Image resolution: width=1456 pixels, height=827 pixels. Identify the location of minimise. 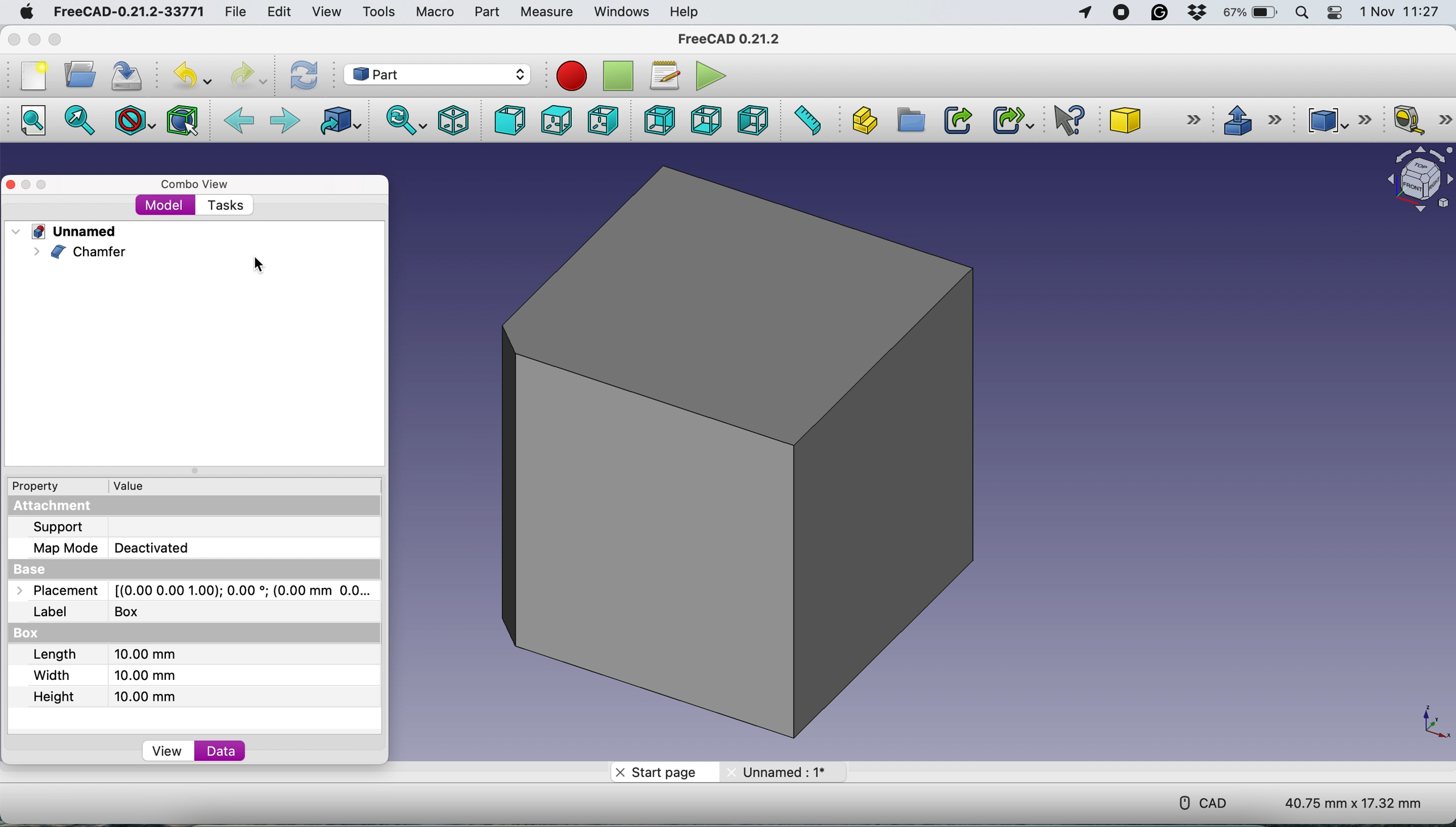
(35, 40).